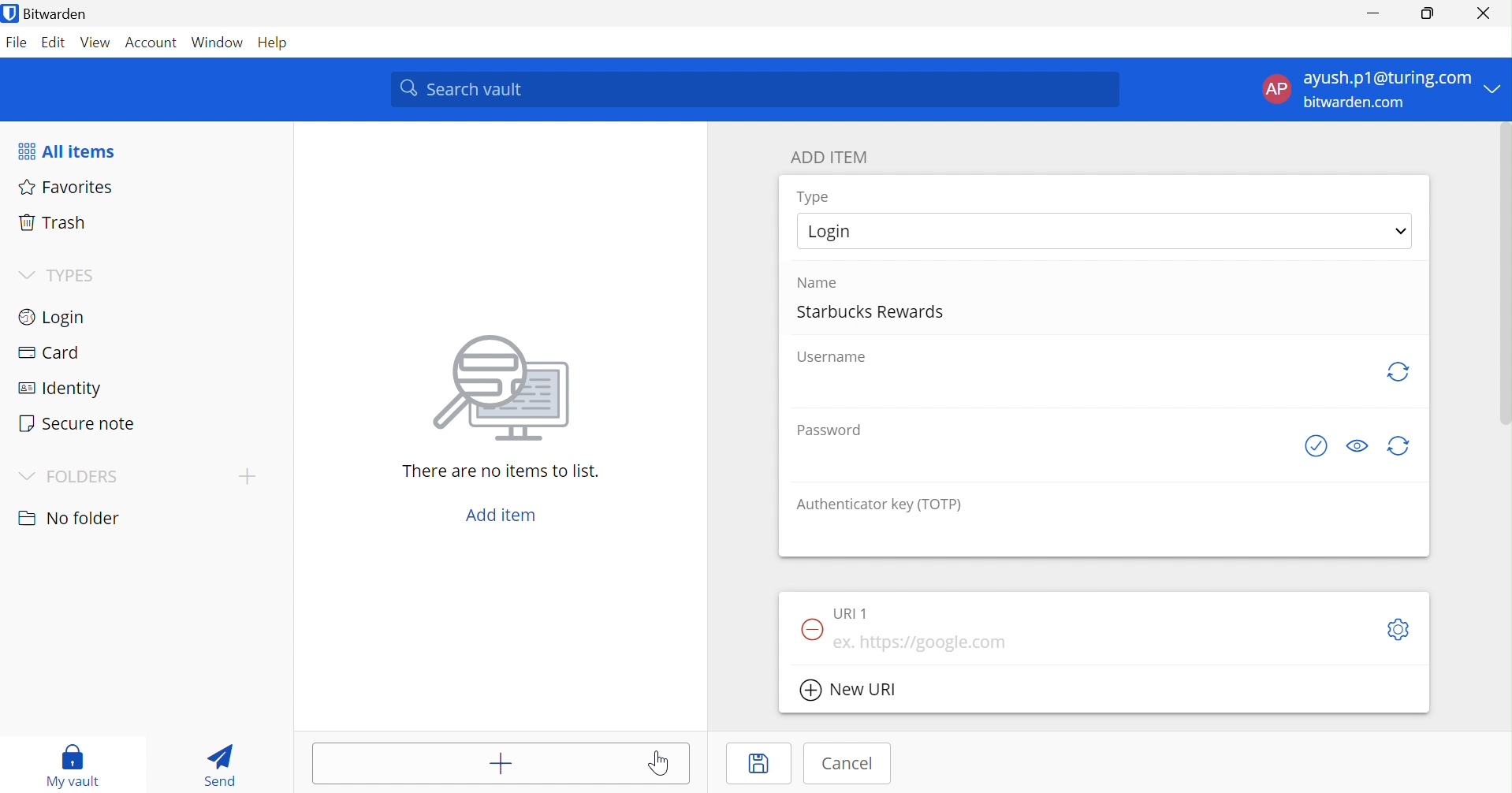 The width and height of the screenshot is (1512, 793). Describe the element at coordinates (84, 478) in the screenshot. I see `FOLDERS` at that location.